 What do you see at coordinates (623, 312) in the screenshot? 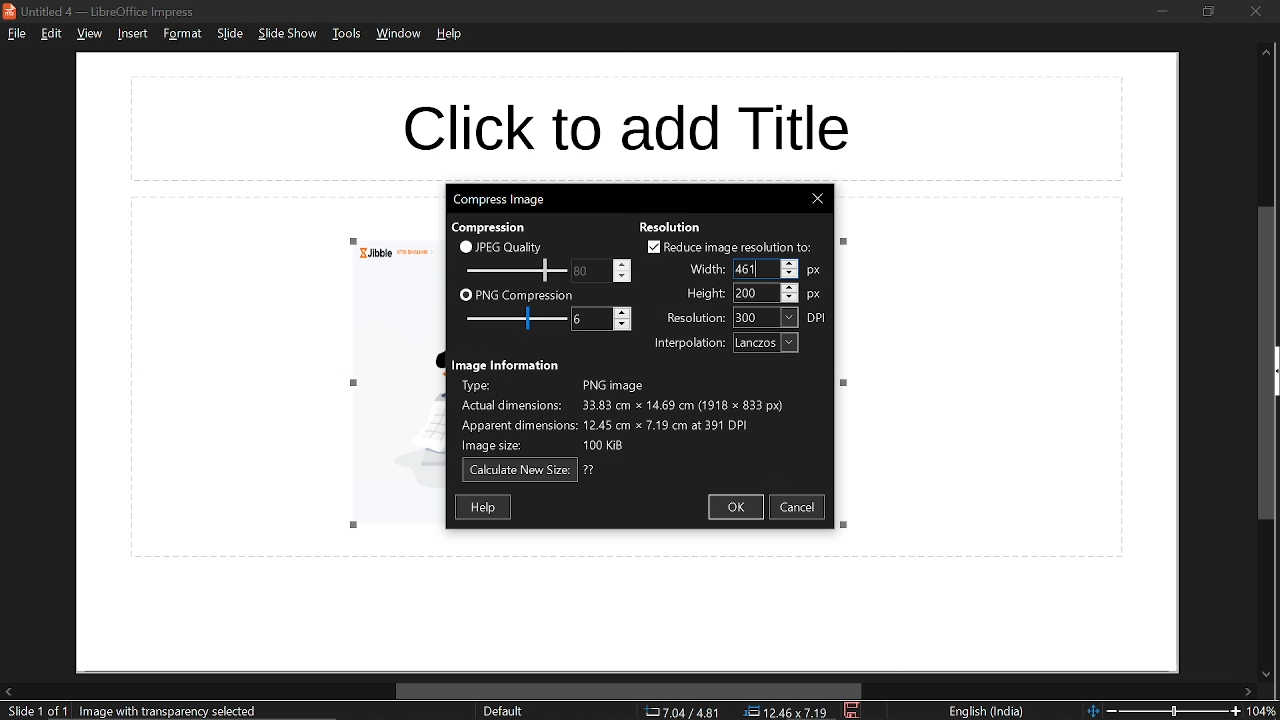
I see `Increase ` at bounding box center [623, 312].